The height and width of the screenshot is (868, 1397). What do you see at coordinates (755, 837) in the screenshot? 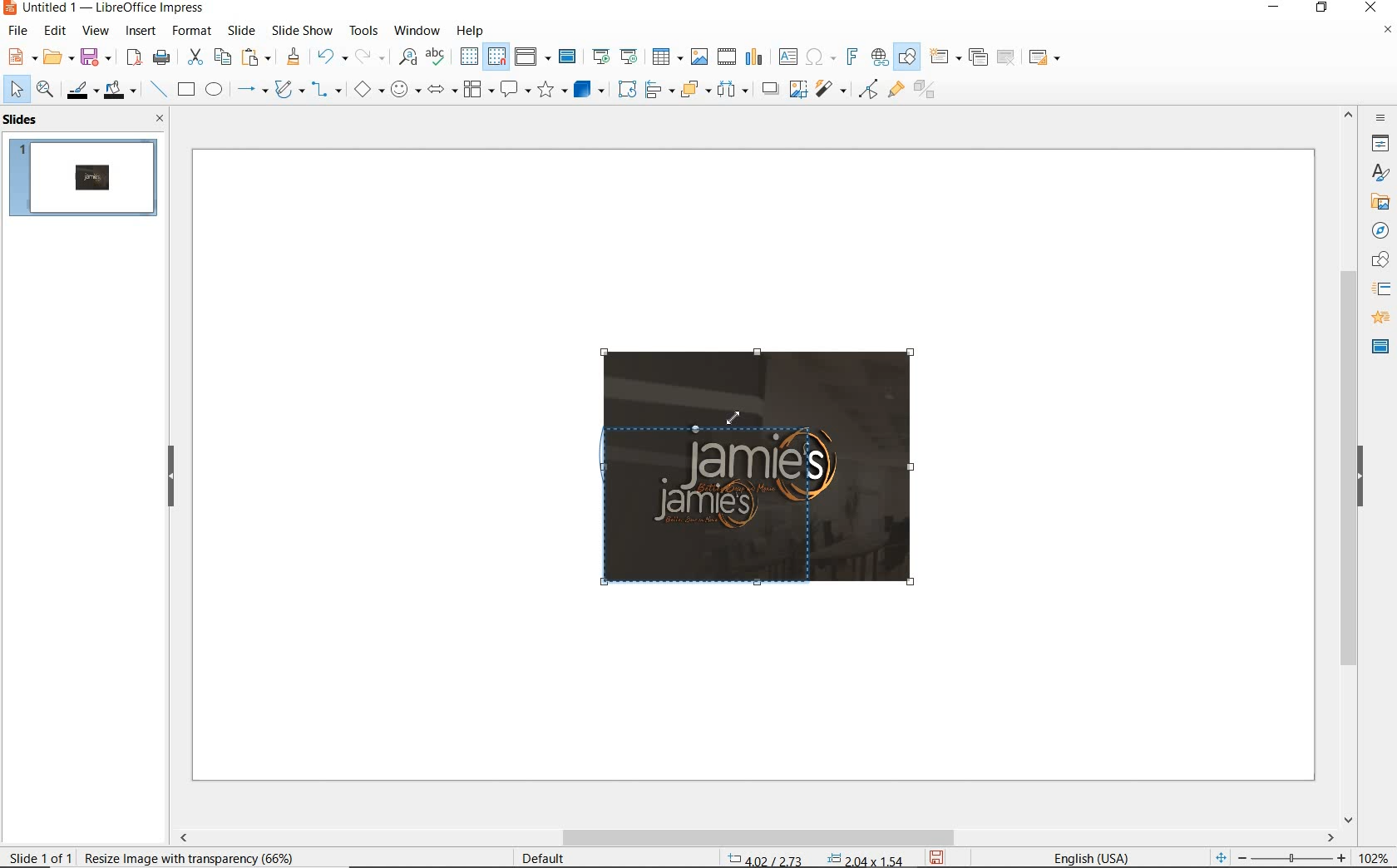
I see `scrollbar` at bounding box center [755, 837].